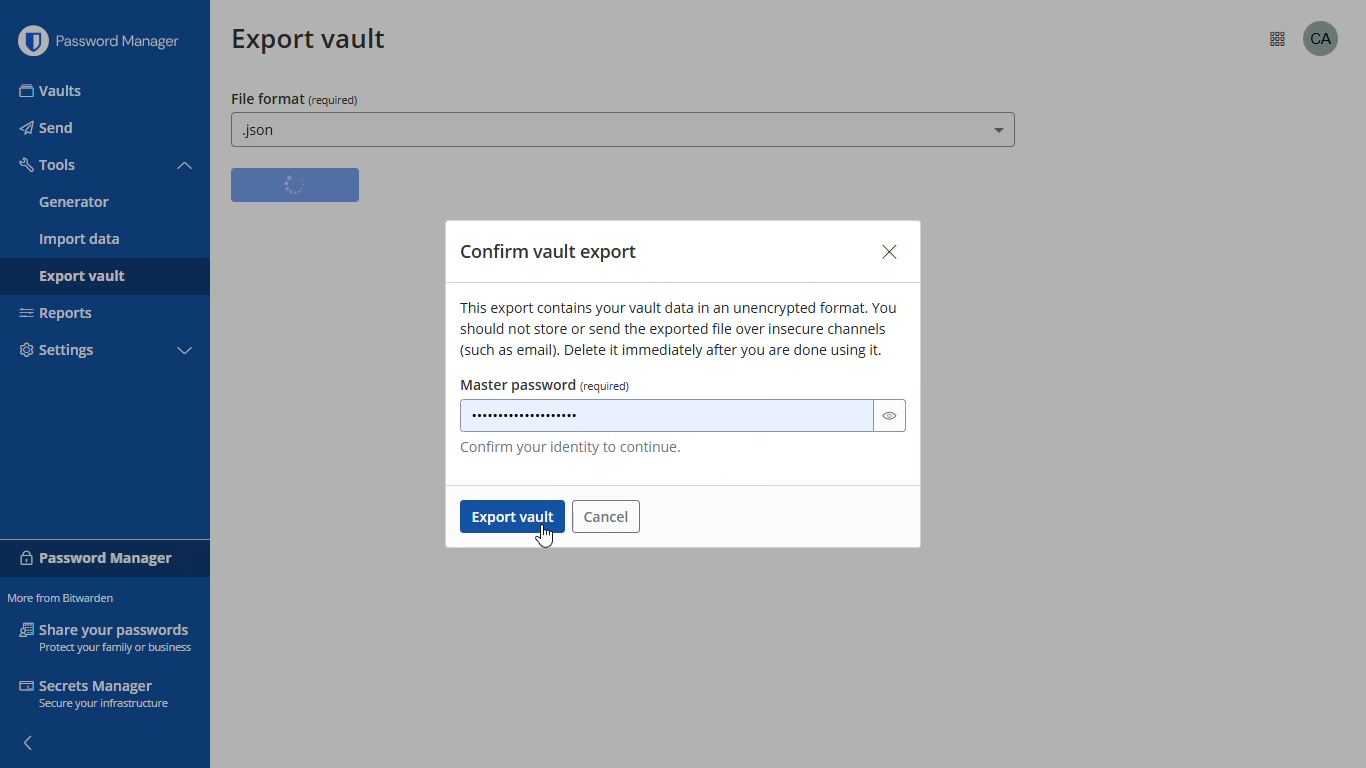 The width and height of the screenshot is (1366, 768). I want to click on export vault, so click(80, 278).